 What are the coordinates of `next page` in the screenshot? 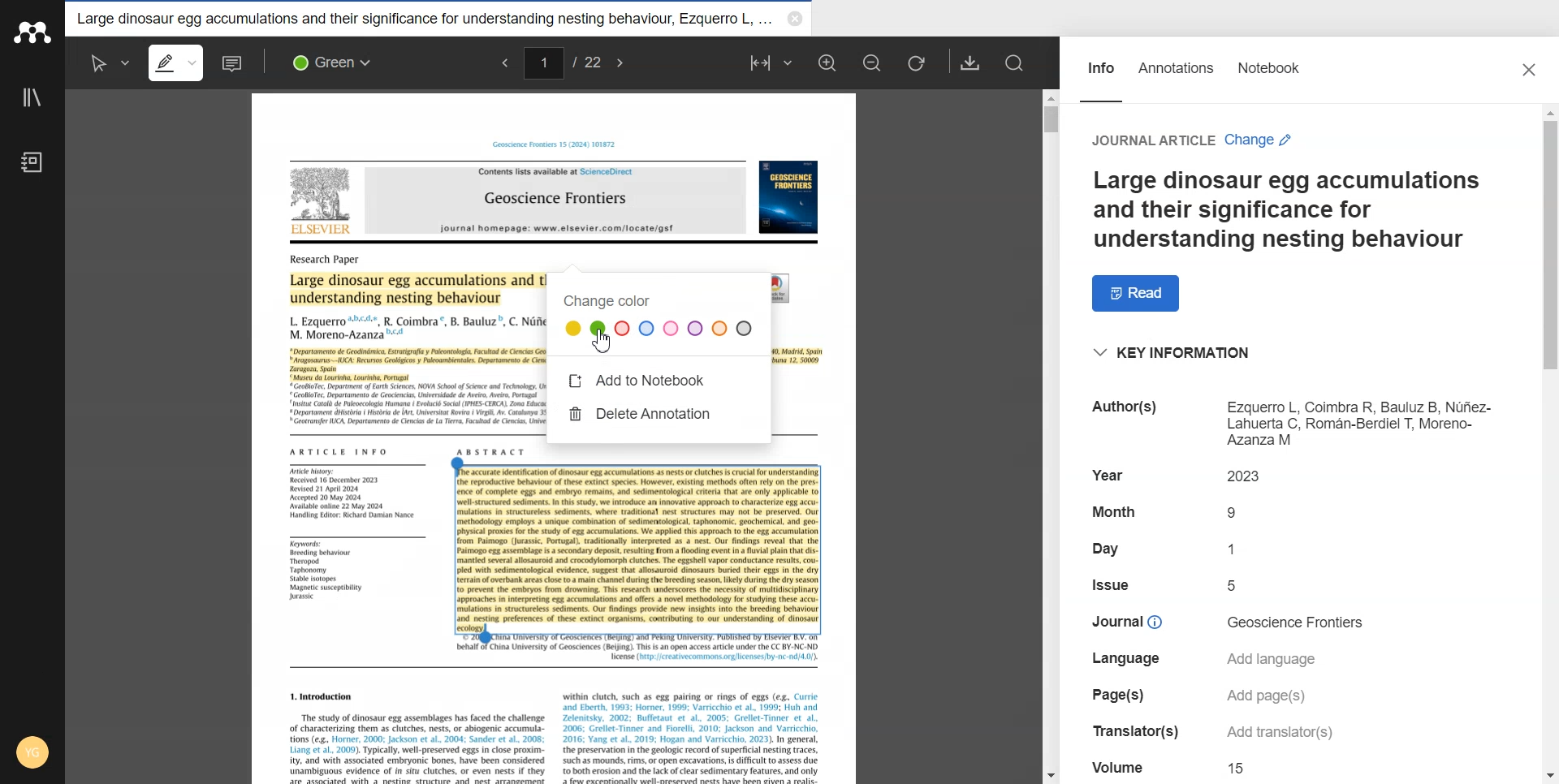 It's located at (622, 62).